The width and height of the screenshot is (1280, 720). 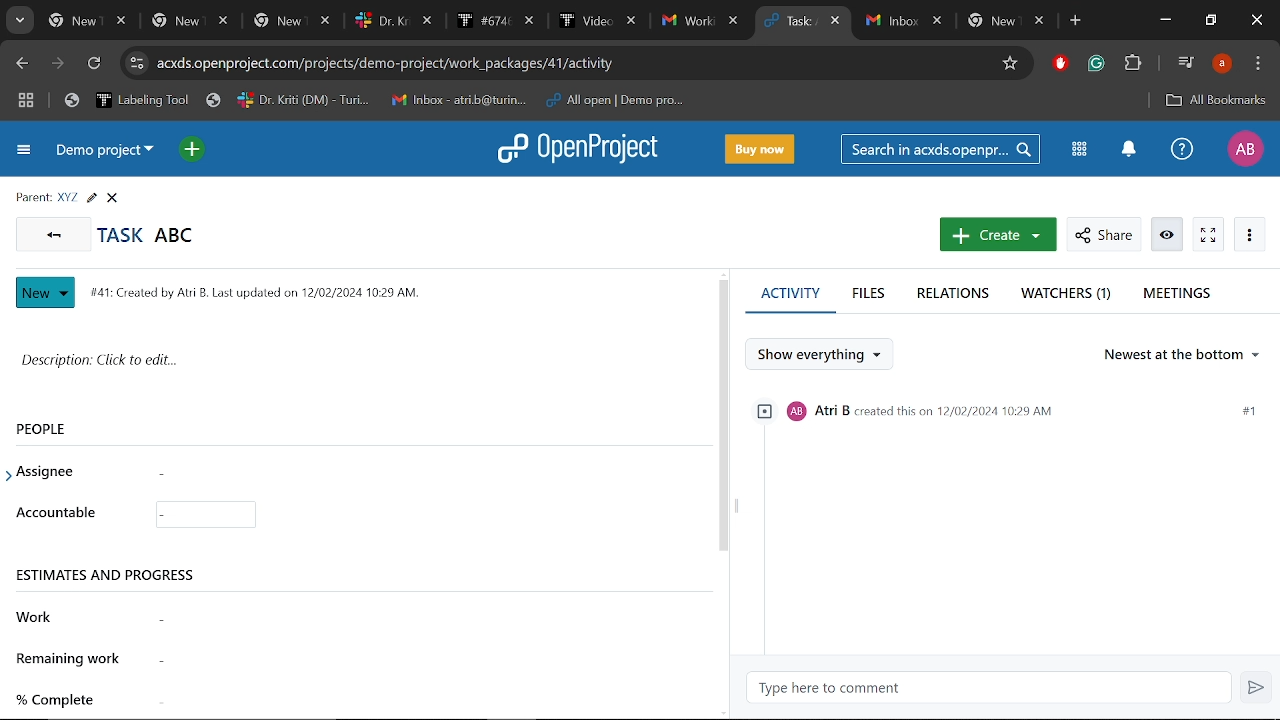 I want to click on Ordering, so click(x=1186, y=355).